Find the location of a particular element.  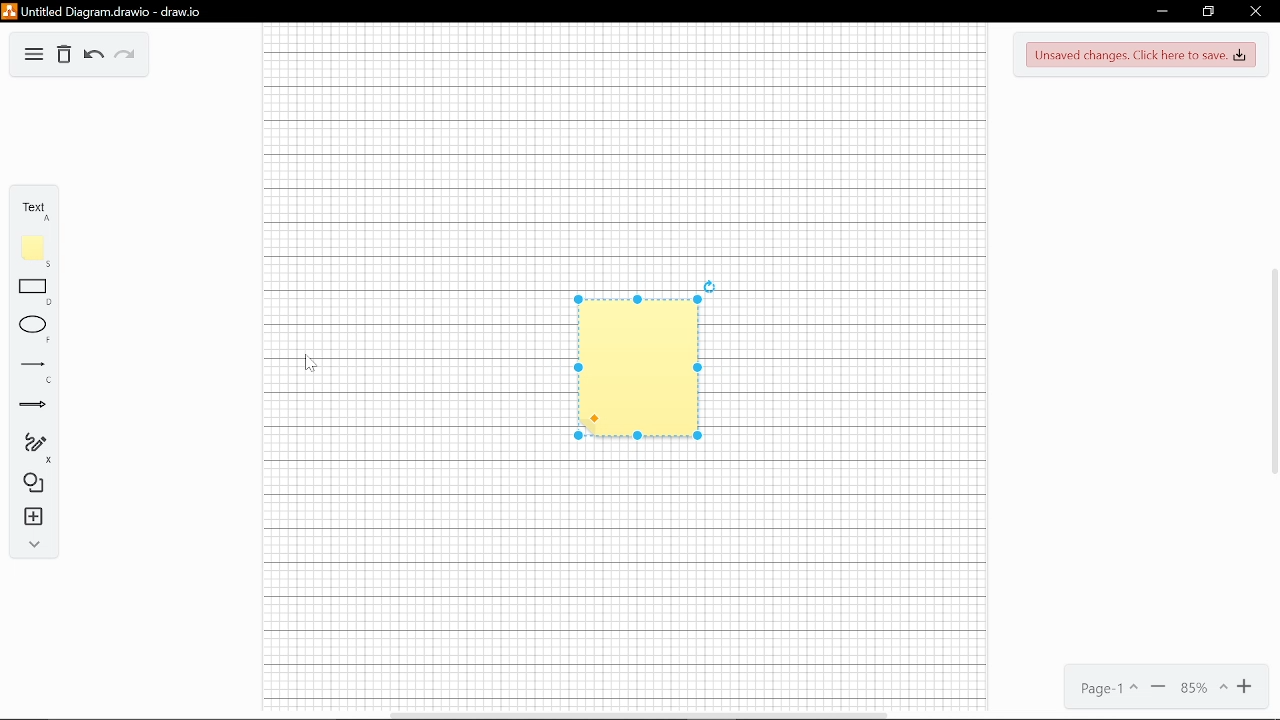

Untitled Diagram.drawio-draw.io (logo and name) is located at coordinates (121, 10).